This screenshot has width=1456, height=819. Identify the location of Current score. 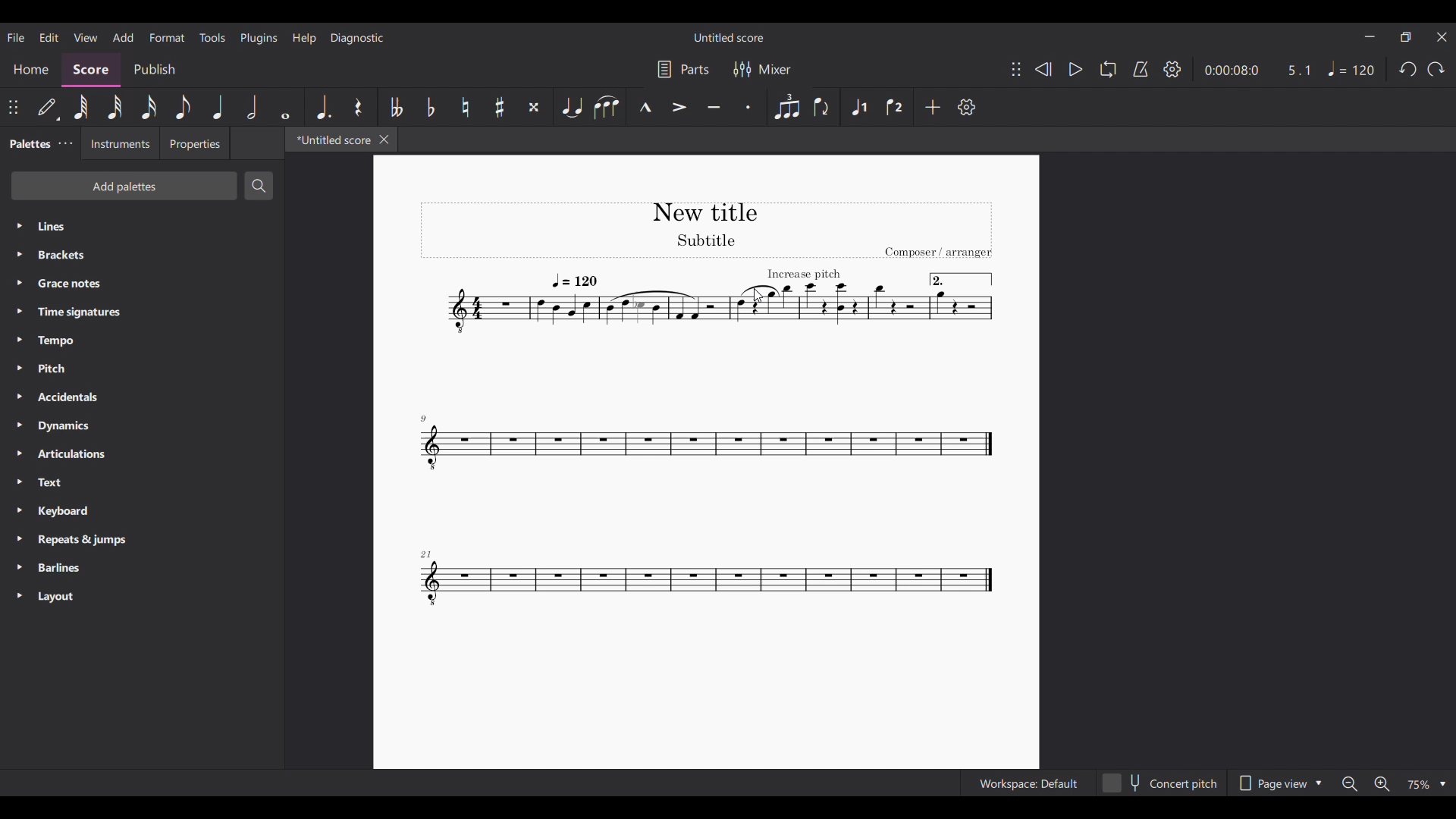
(707, 463).